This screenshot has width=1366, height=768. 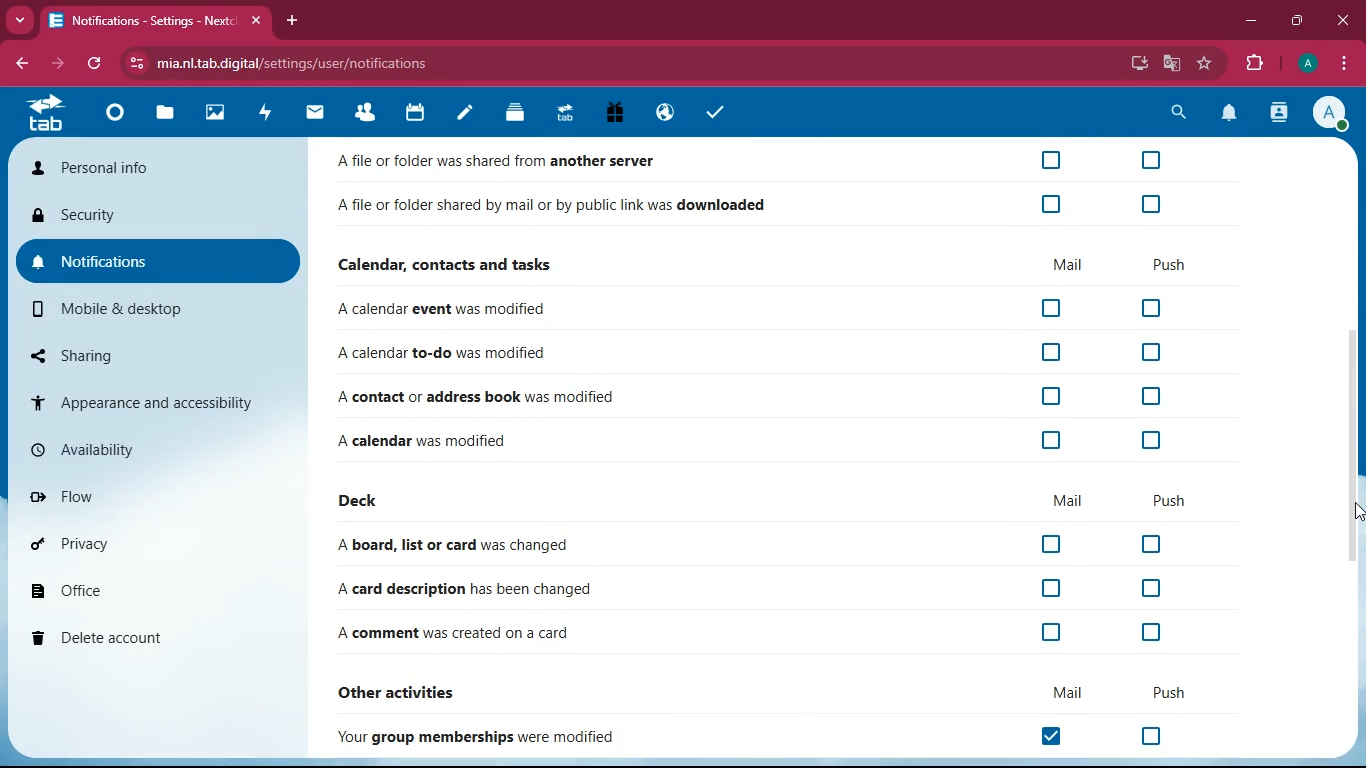 I want to click on off, so click(x=1151, y=737).